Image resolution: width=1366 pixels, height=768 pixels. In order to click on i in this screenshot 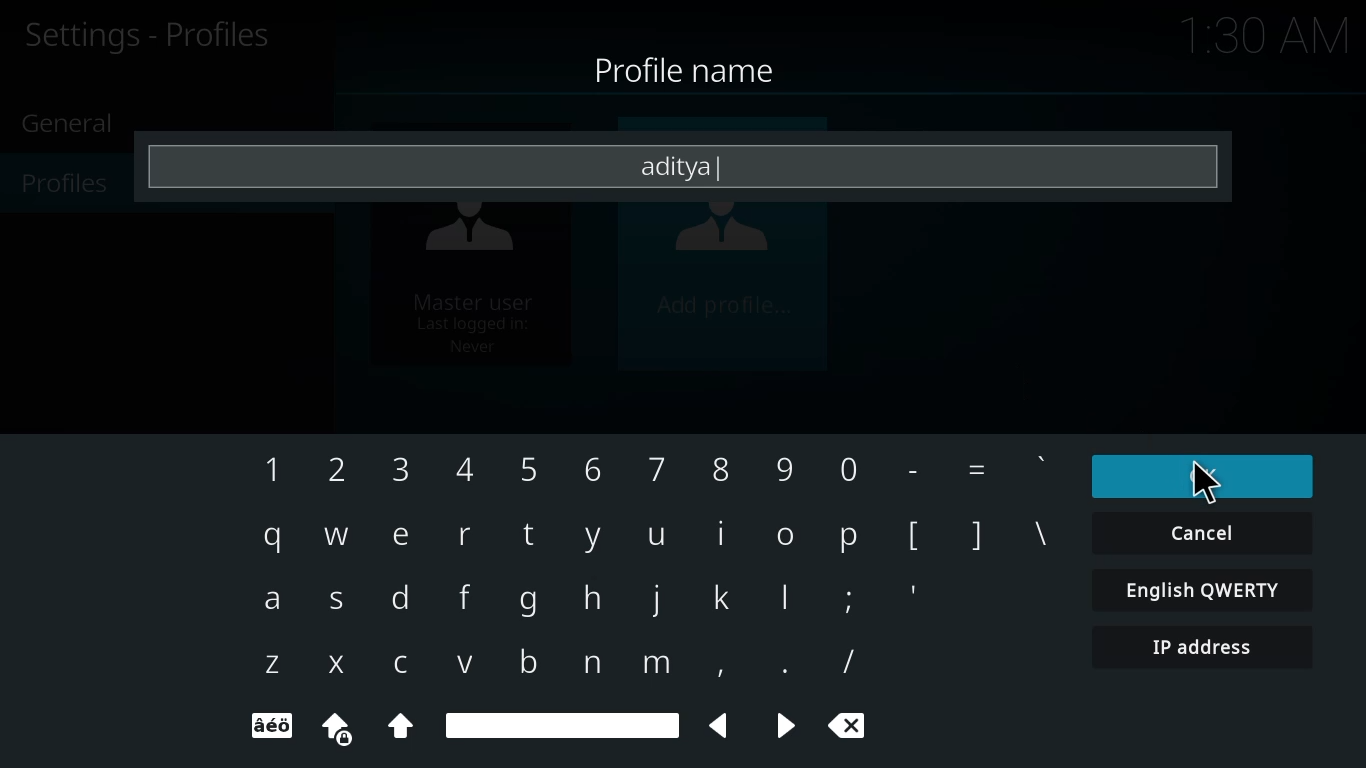, I will do `click(722, 531)`.